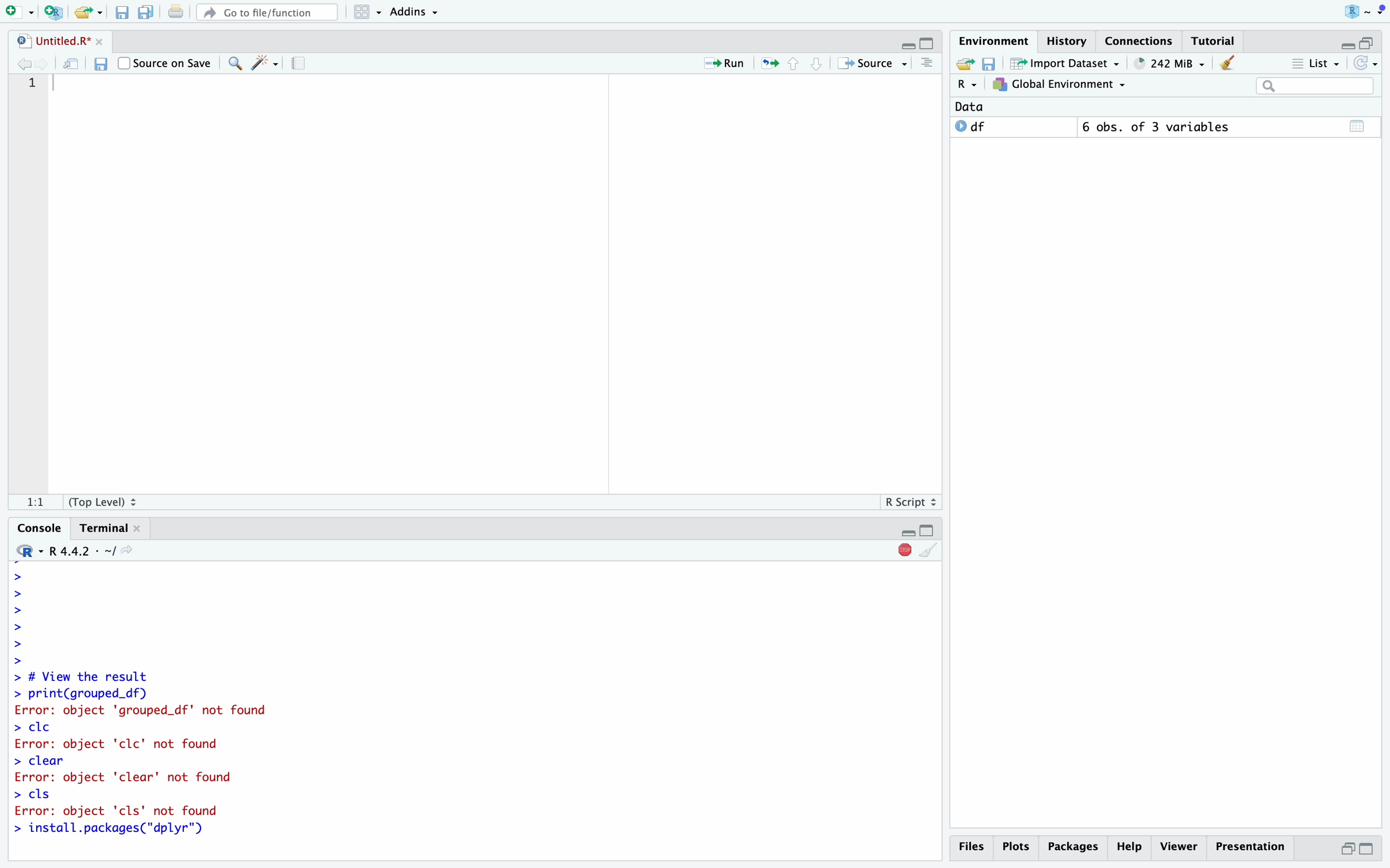 The image size is (1390, 868). Describe the element at coordinates (88, 11) in the screenshot. I see `Open an existing file` at that location.